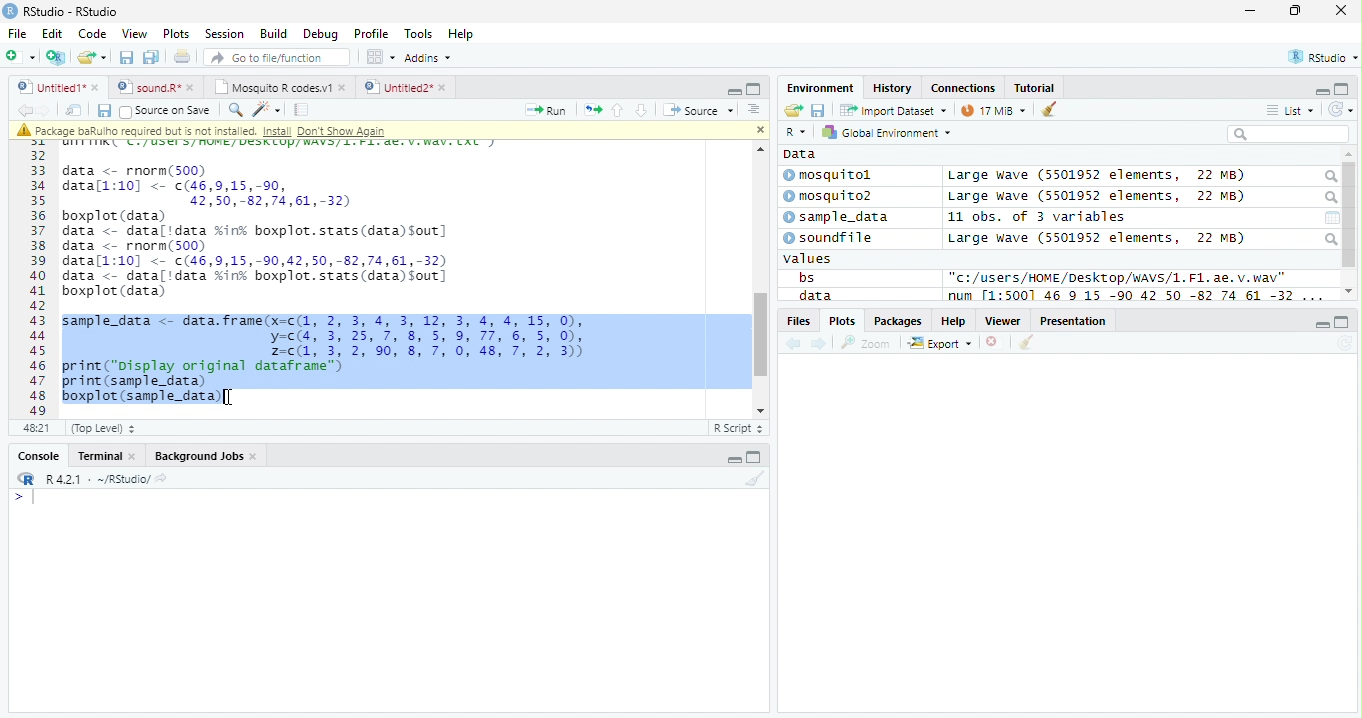 This screenshot has height=718, width=1362. What do you see at coordinates (818, 110) in the screenshot?
I see `Save` at bounding box center [818, 110].